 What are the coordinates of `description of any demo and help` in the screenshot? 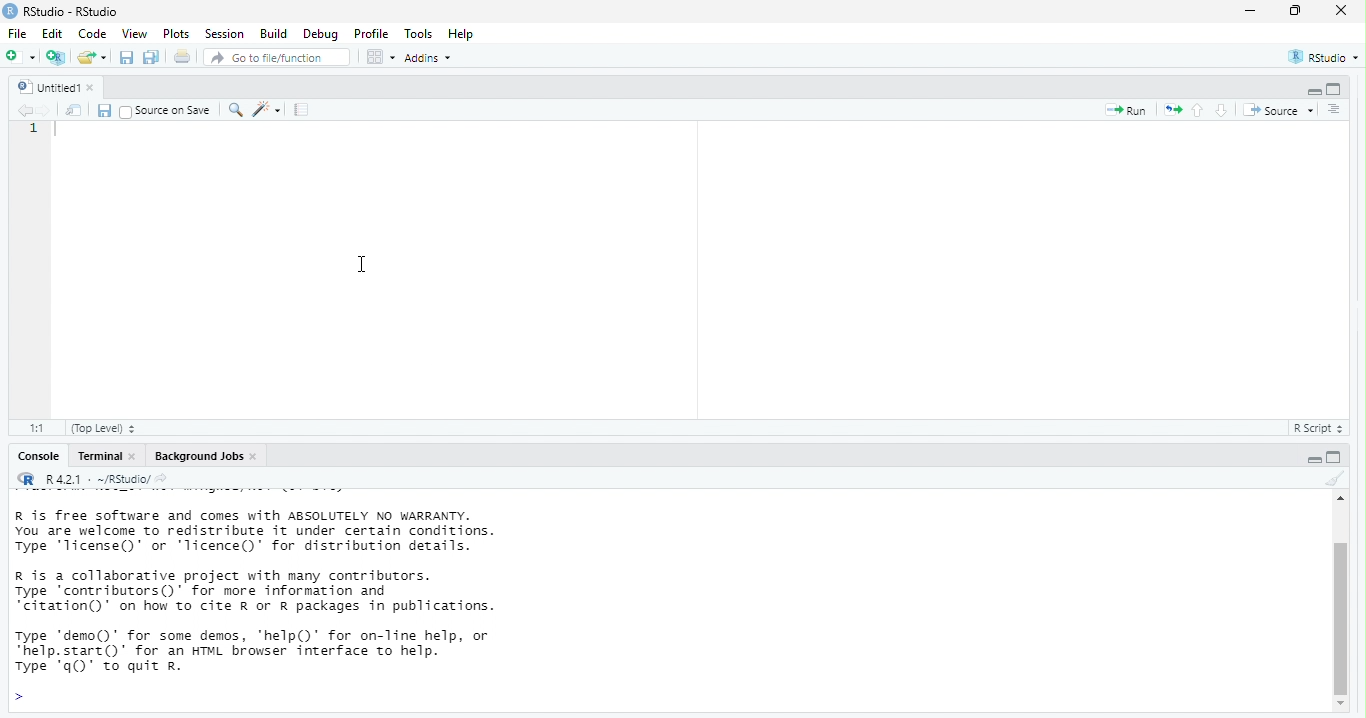 It's located at (250, 696).